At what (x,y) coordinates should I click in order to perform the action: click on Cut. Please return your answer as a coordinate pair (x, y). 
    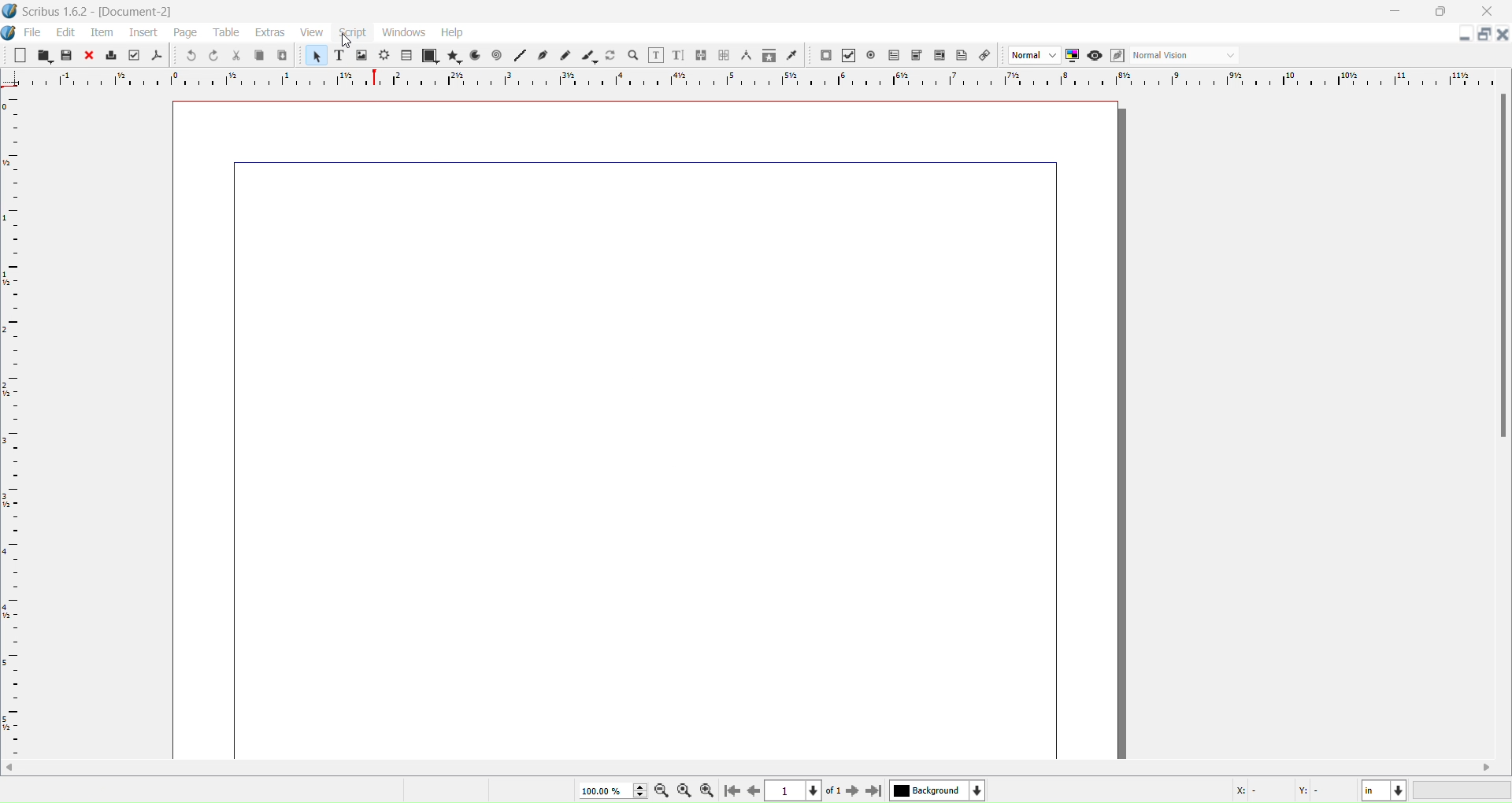
    Looking at the image, I should click on (235, 57).